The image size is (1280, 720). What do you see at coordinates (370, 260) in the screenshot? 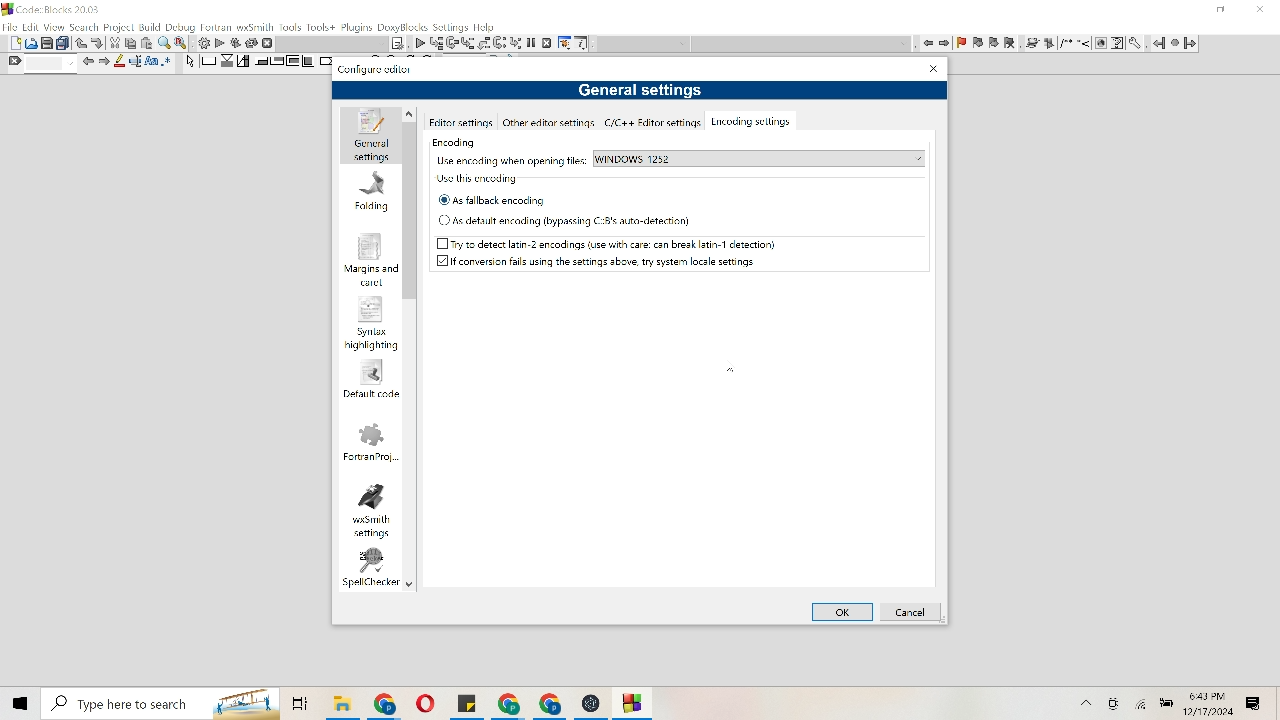
I see `Margins and carel` at bounding box center [370, 260].